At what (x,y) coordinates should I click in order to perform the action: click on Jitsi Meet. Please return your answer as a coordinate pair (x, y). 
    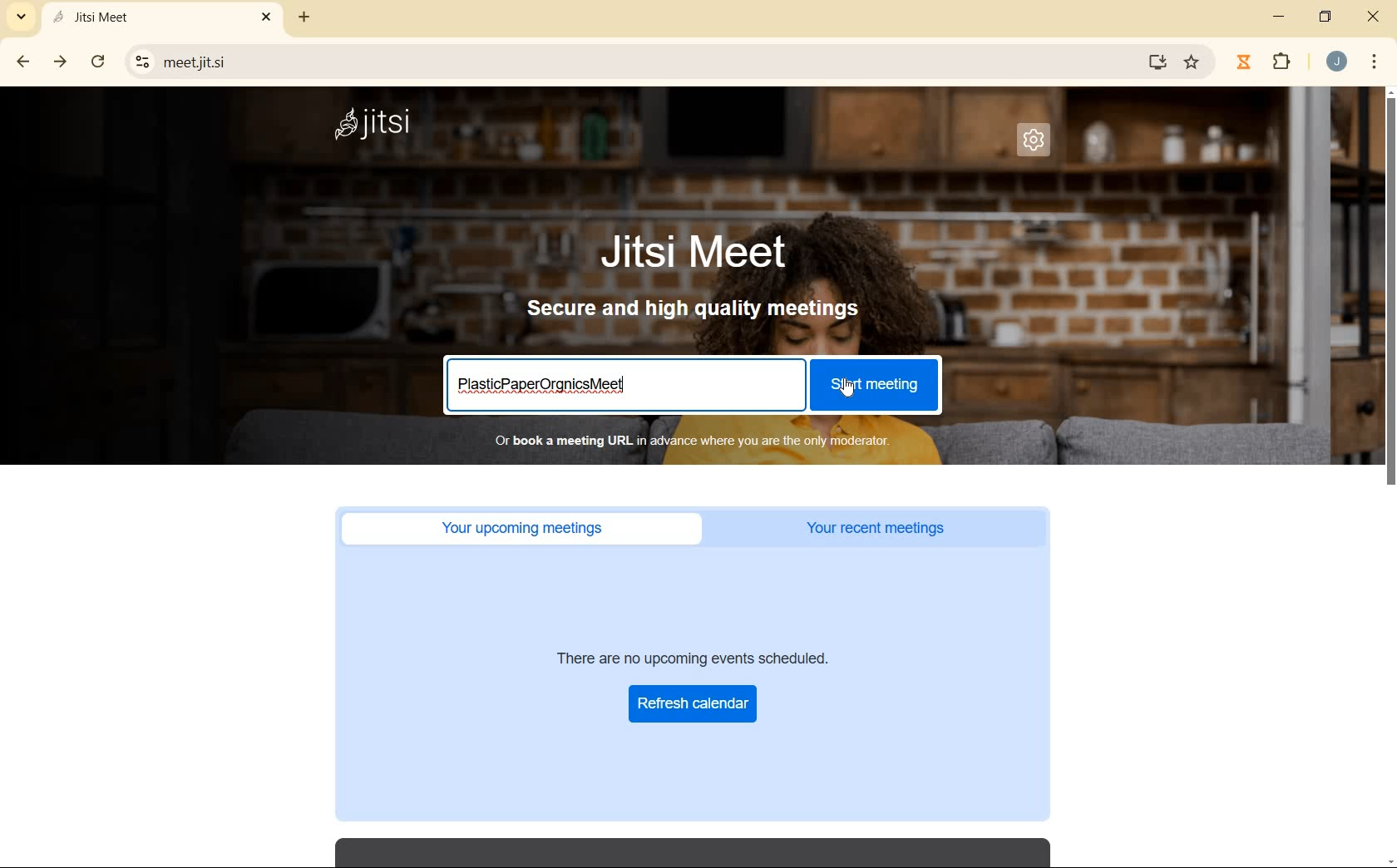
    Looking at the image, I should click on (695, 253).